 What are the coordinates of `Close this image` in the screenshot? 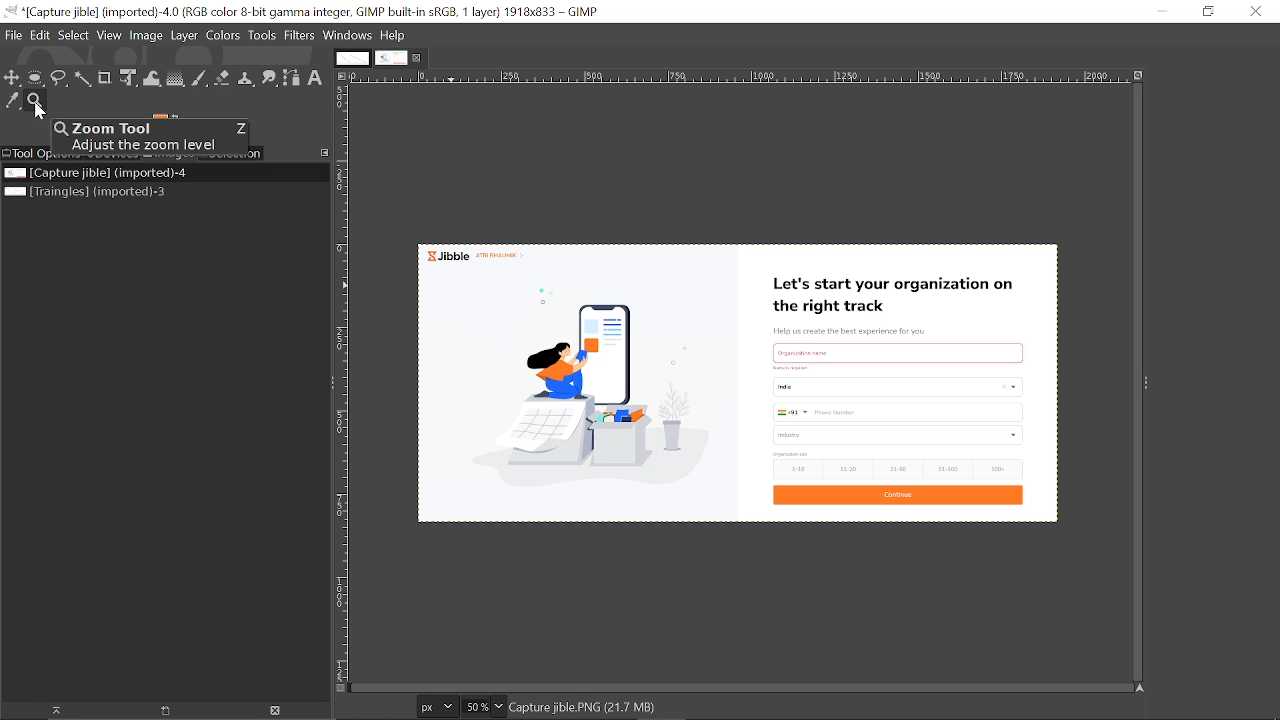 It's located at (273, 711).